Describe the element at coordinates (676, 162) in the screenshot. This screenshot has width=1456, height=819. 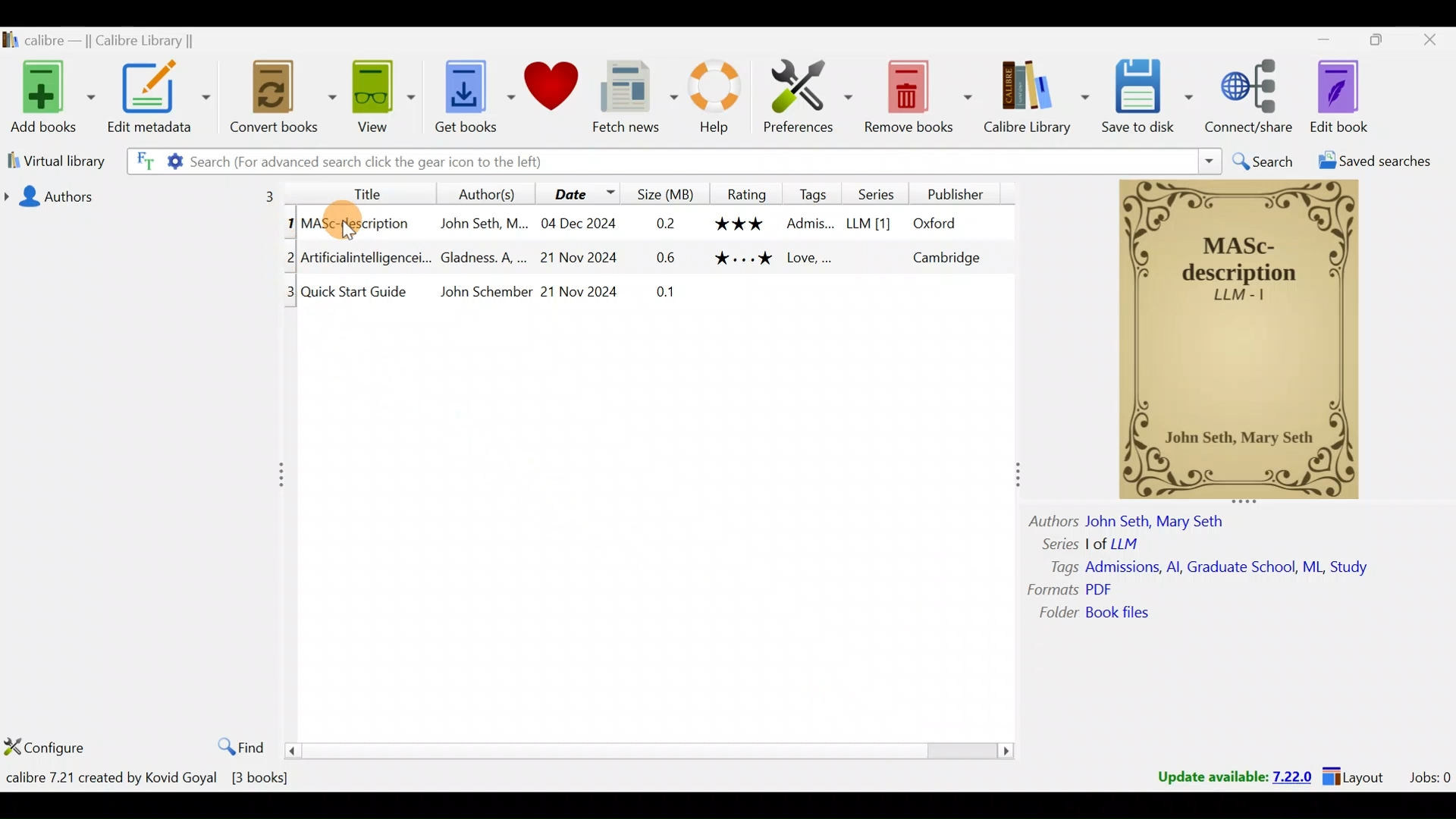
I see `Search bar` at that location.